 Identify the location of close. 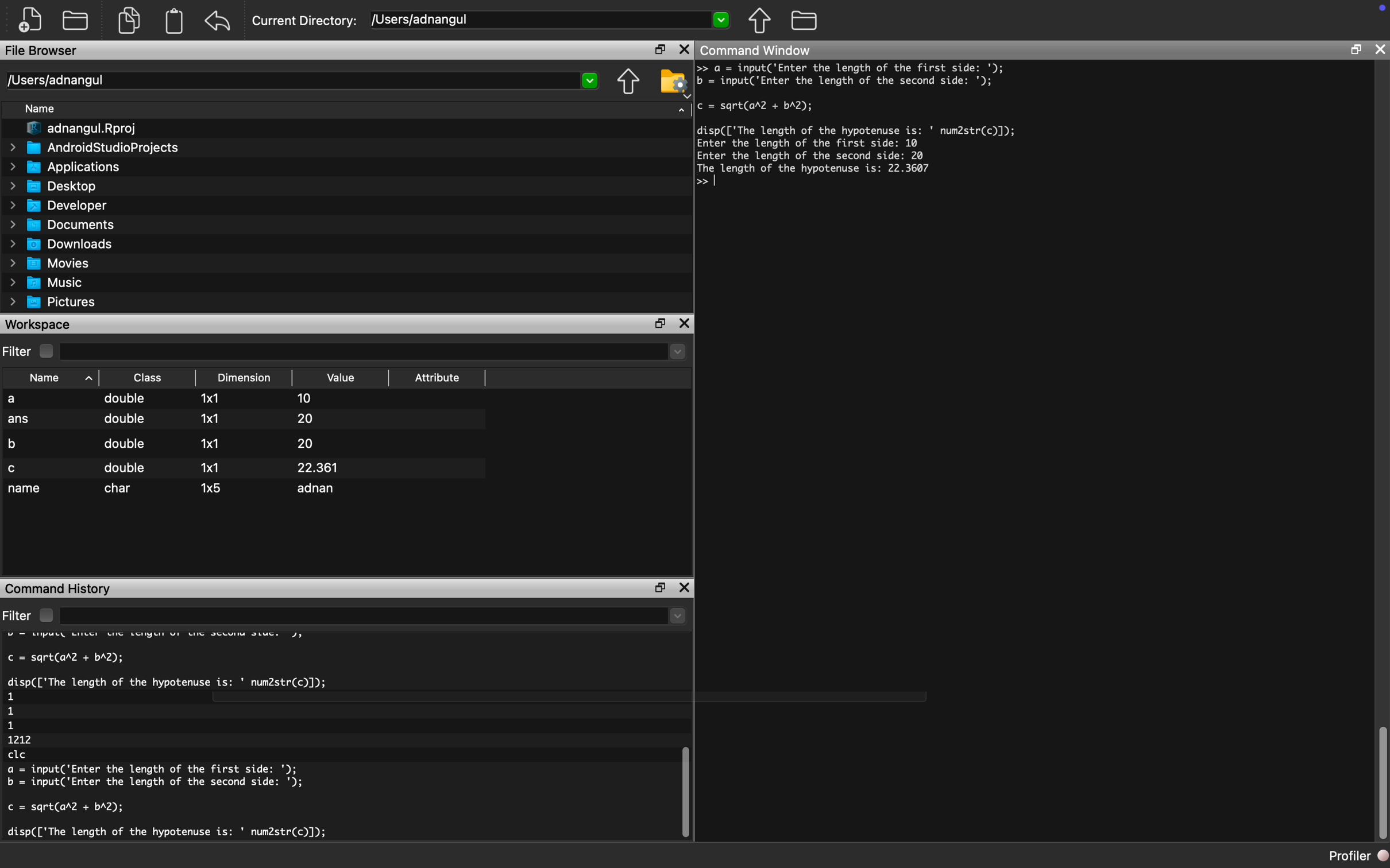
(684, 50).